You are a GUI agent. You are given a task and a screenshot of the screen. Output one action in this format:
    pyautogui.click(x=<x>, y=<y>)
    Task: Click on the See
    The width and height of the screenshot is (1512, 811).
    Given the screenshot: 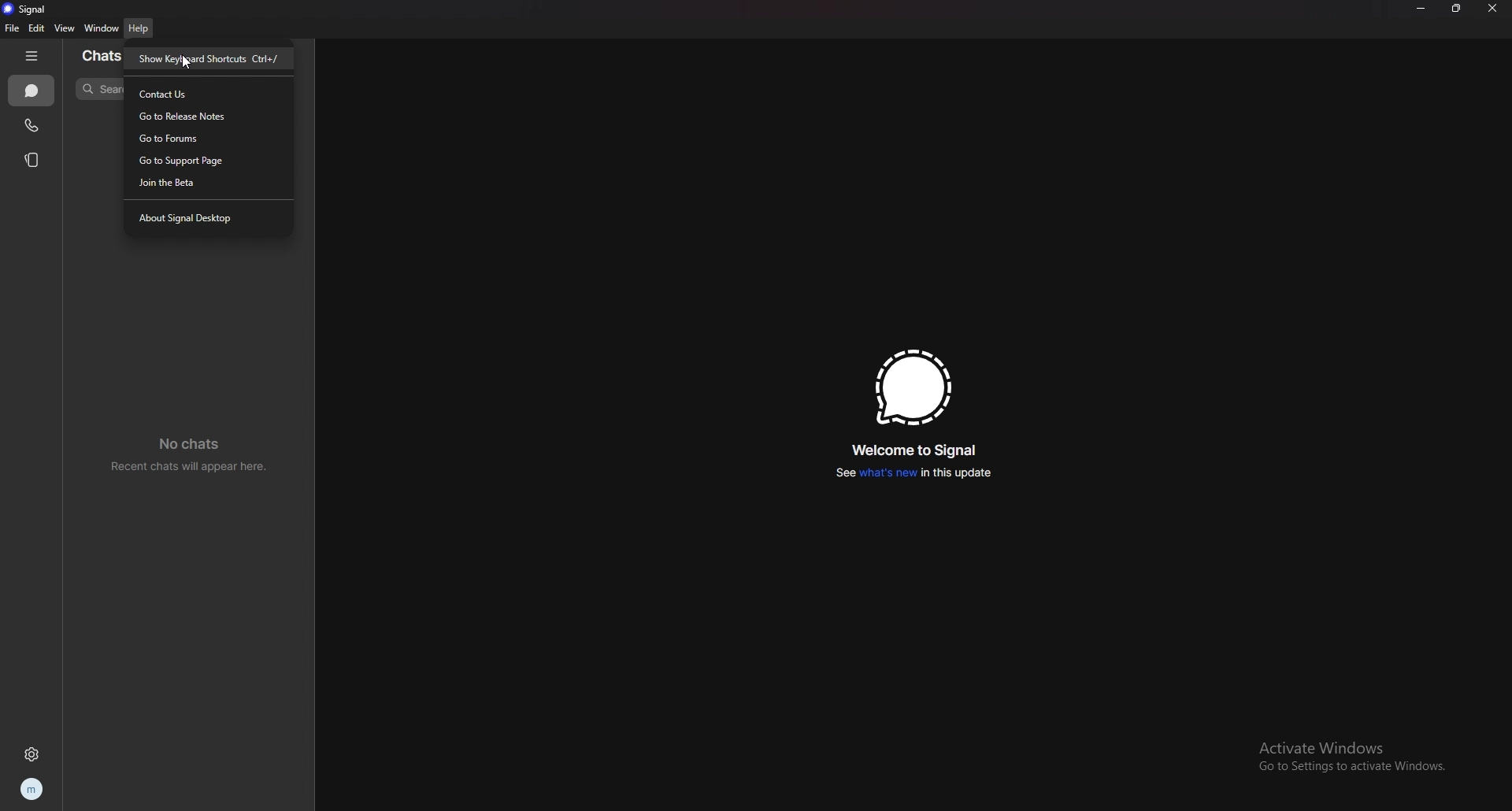 What is the action you would take?
    pyautogui.click(x=839, y=475)
    